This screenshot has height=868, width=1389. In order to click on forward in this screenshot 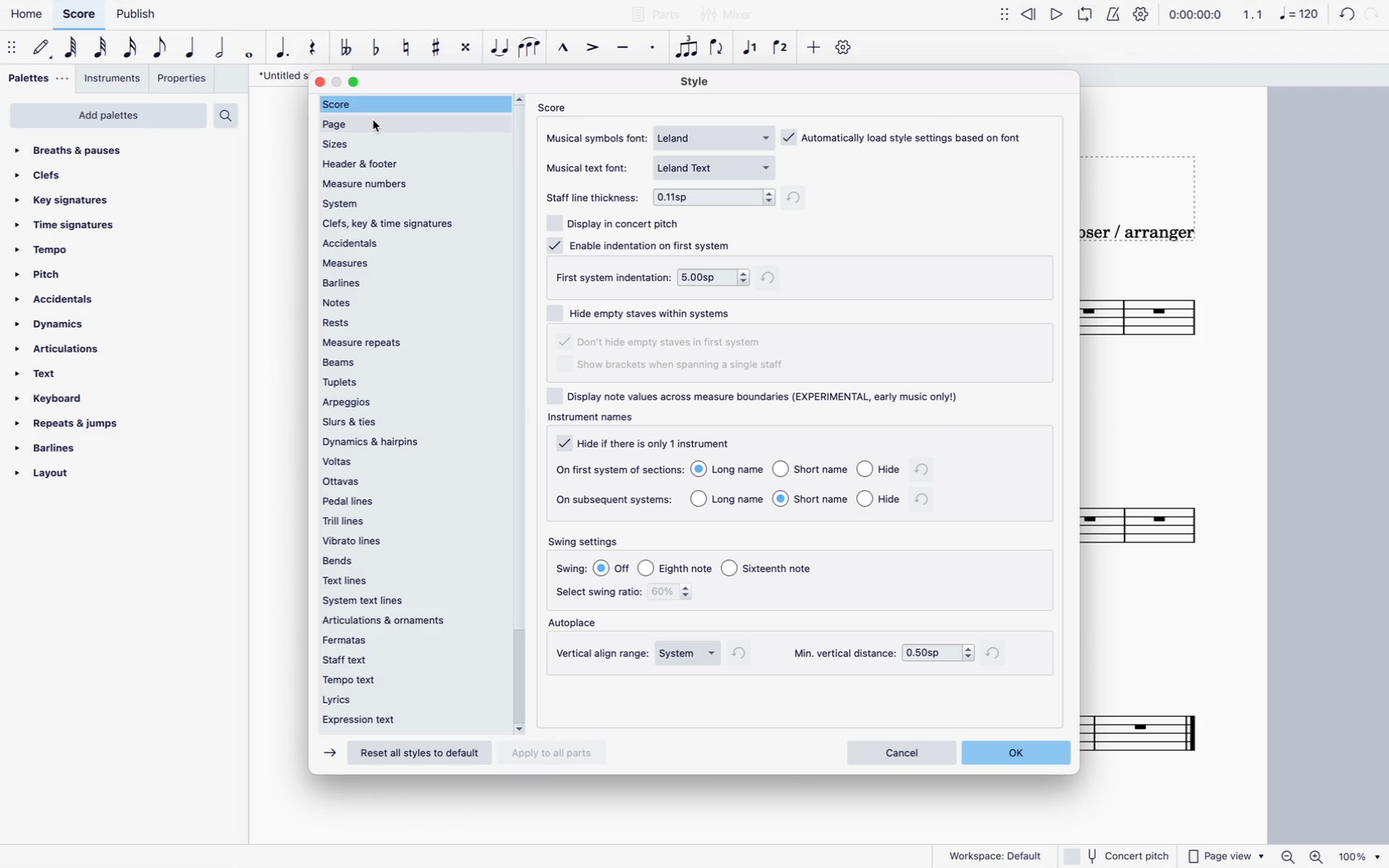, I will do `click(327, 753)`.